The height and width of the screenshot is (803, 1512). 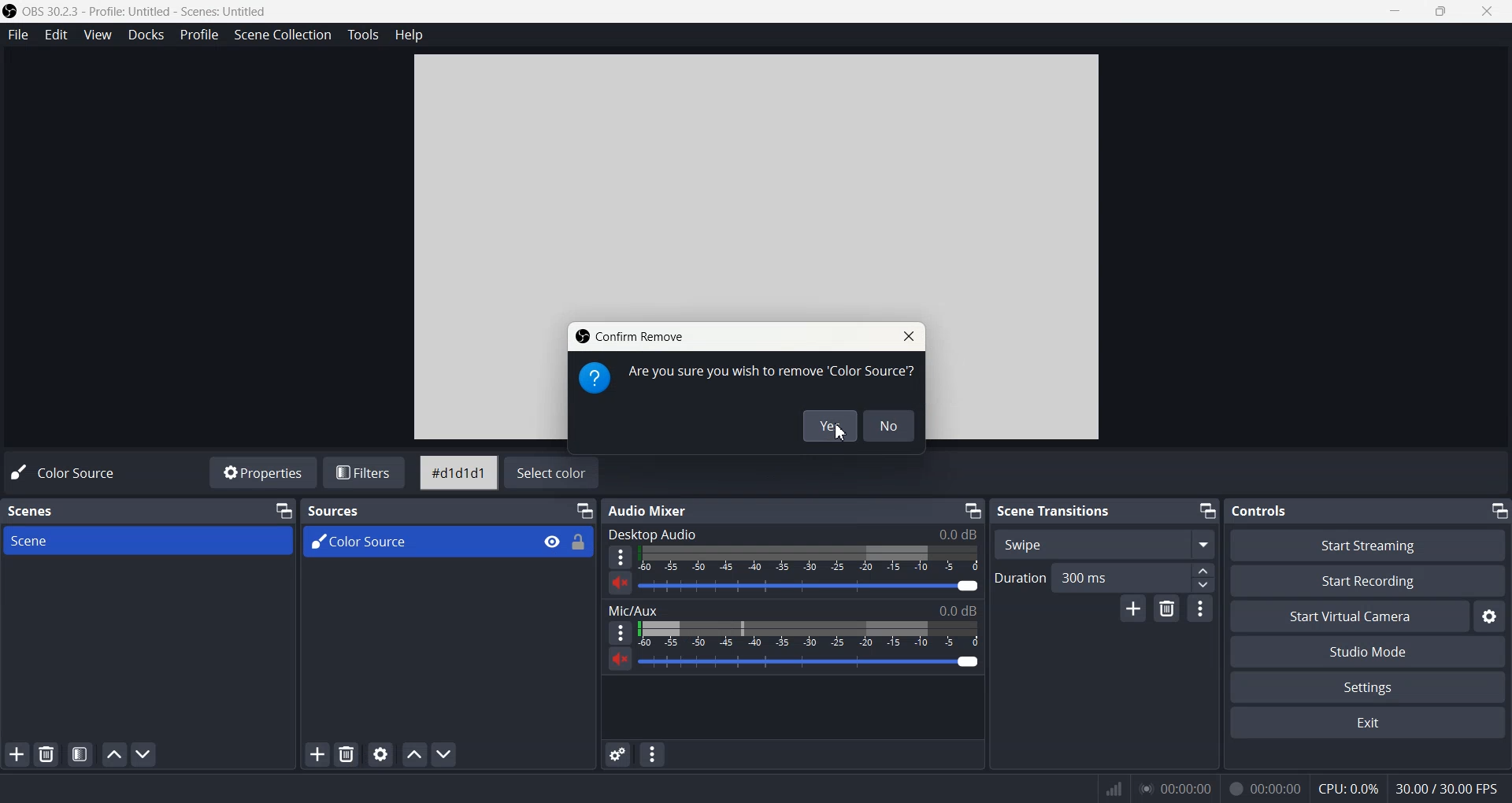 I want to click on Scene Collection, so click(x=283, y=35).